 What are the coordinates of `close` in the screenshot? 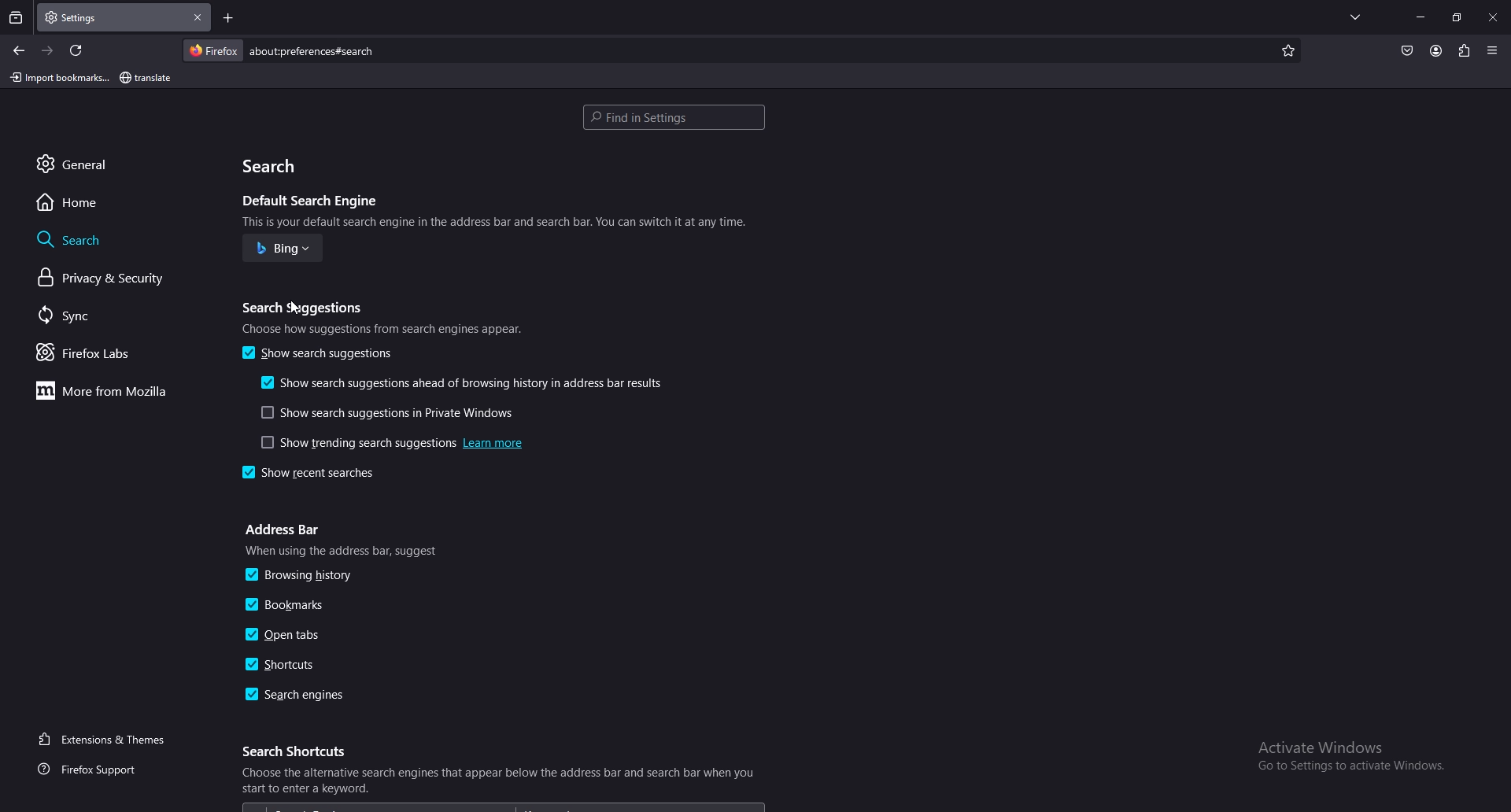 It's located at (1492, 18).